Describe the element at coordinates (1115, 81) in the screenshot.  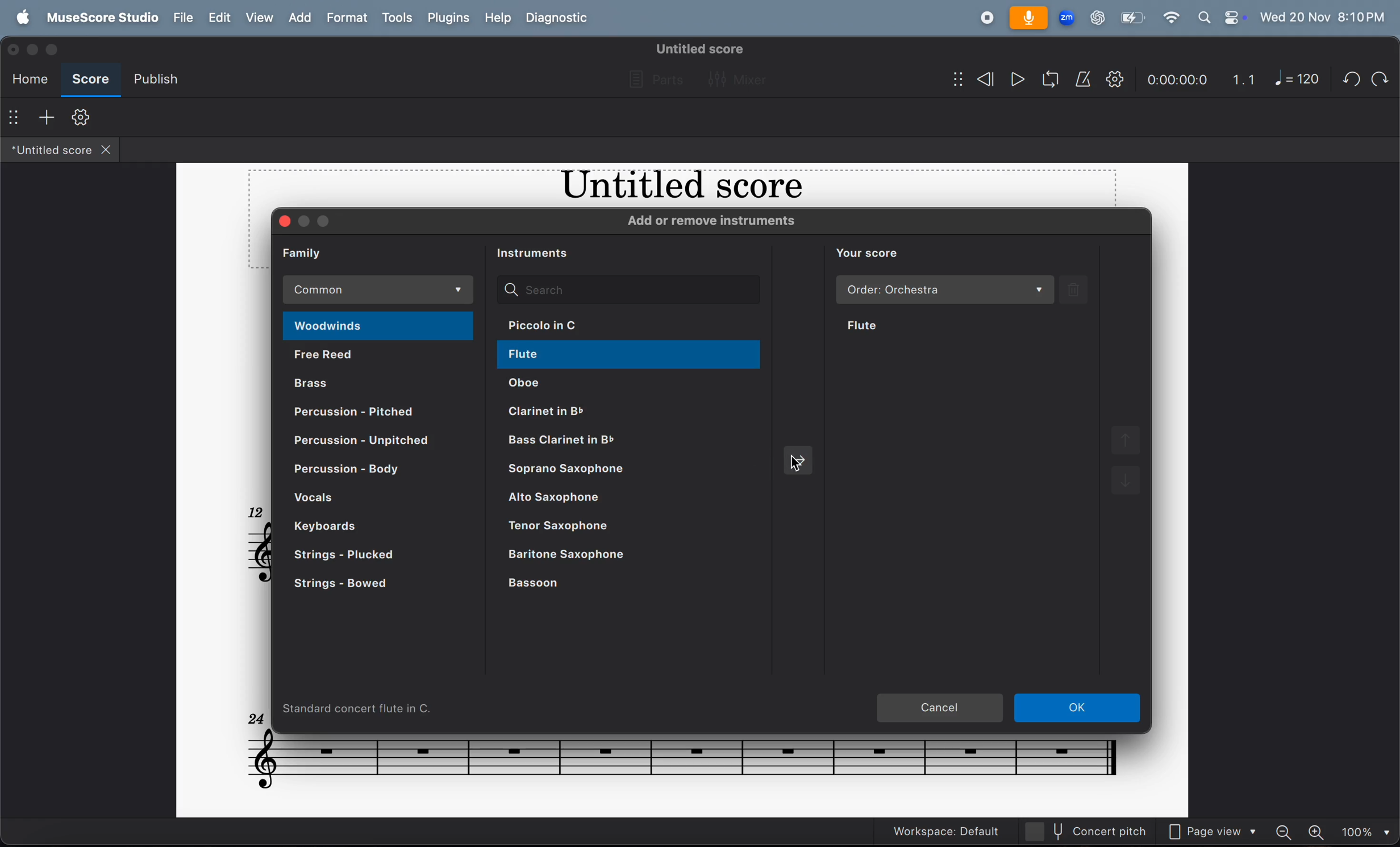
I see `playback setting` at that location.